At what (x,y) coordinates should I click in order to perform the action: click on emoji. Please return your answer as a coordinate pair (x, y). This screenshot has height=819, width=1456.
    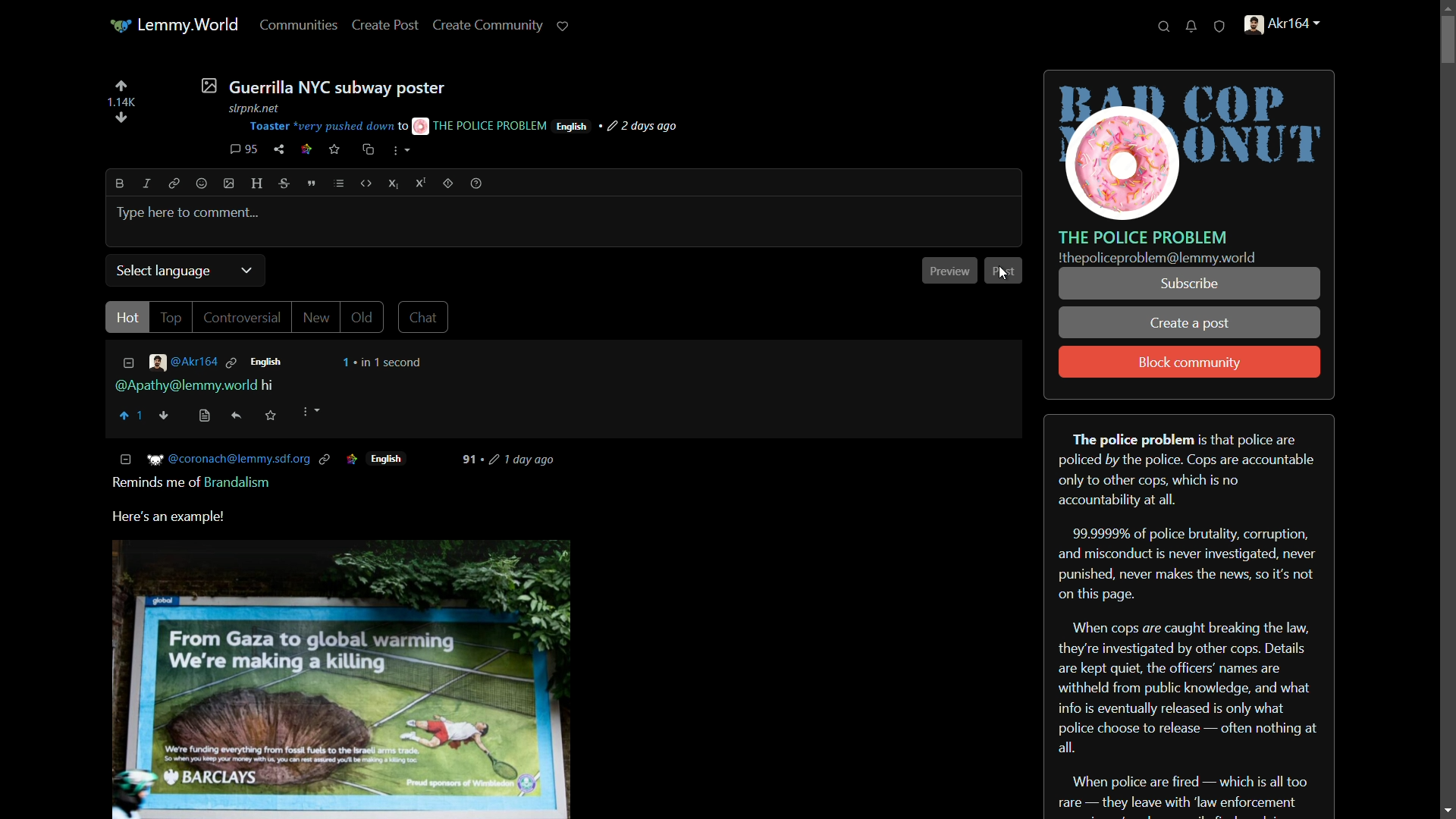
    Looking at the image, I should click on (202, 184).